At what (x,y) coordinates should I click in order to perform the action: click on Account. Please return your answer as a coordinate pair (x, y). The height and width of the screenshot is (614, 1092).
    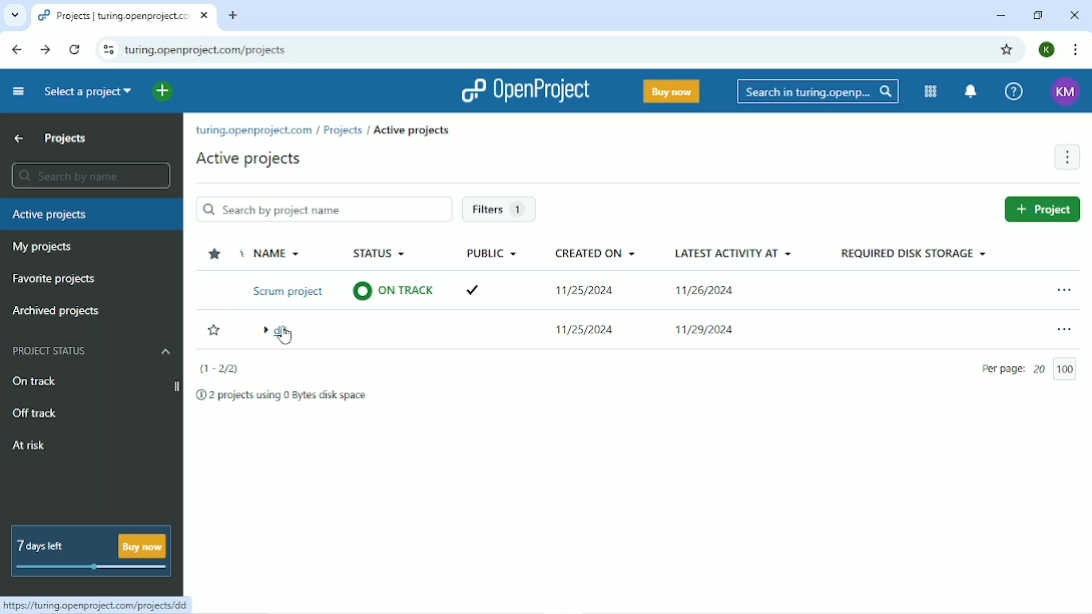
    Looking at the image, I should click on (1065, 91).